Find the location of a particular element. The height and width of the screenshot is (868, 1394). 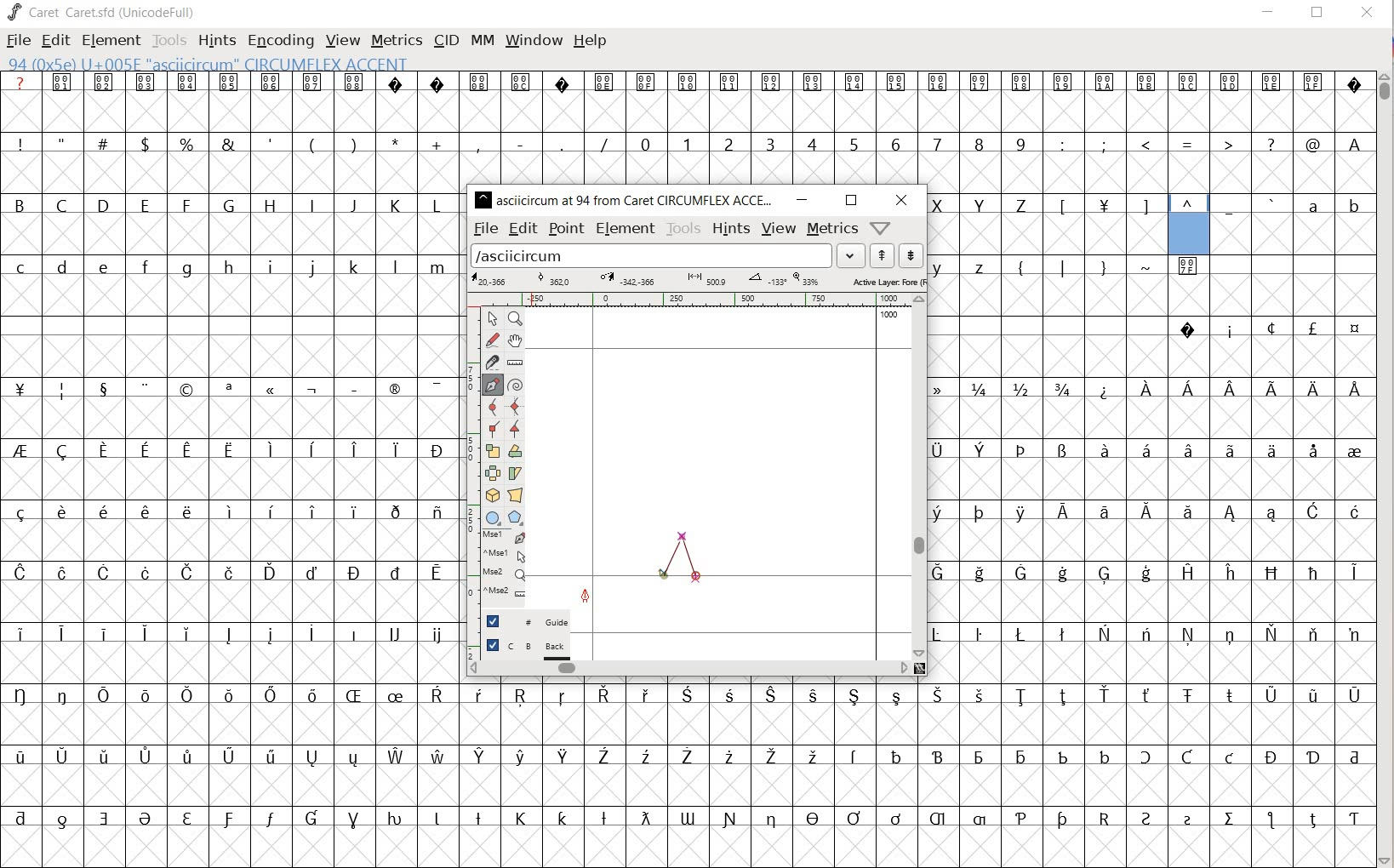

TOOLS is located at coordinates (169, 40).